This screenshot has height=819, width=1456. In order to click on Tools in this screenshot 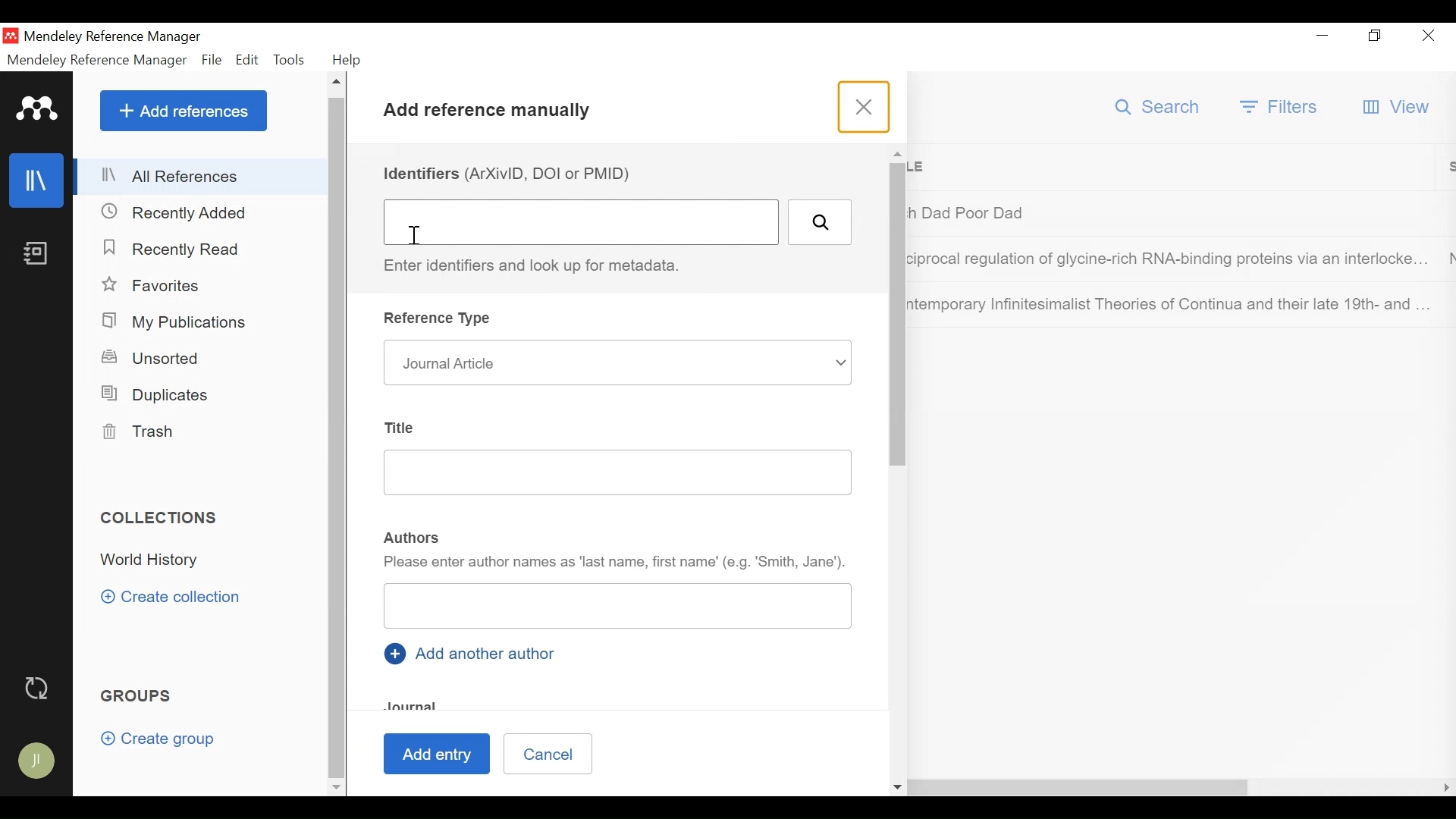, I will do `click(292, 60)`.